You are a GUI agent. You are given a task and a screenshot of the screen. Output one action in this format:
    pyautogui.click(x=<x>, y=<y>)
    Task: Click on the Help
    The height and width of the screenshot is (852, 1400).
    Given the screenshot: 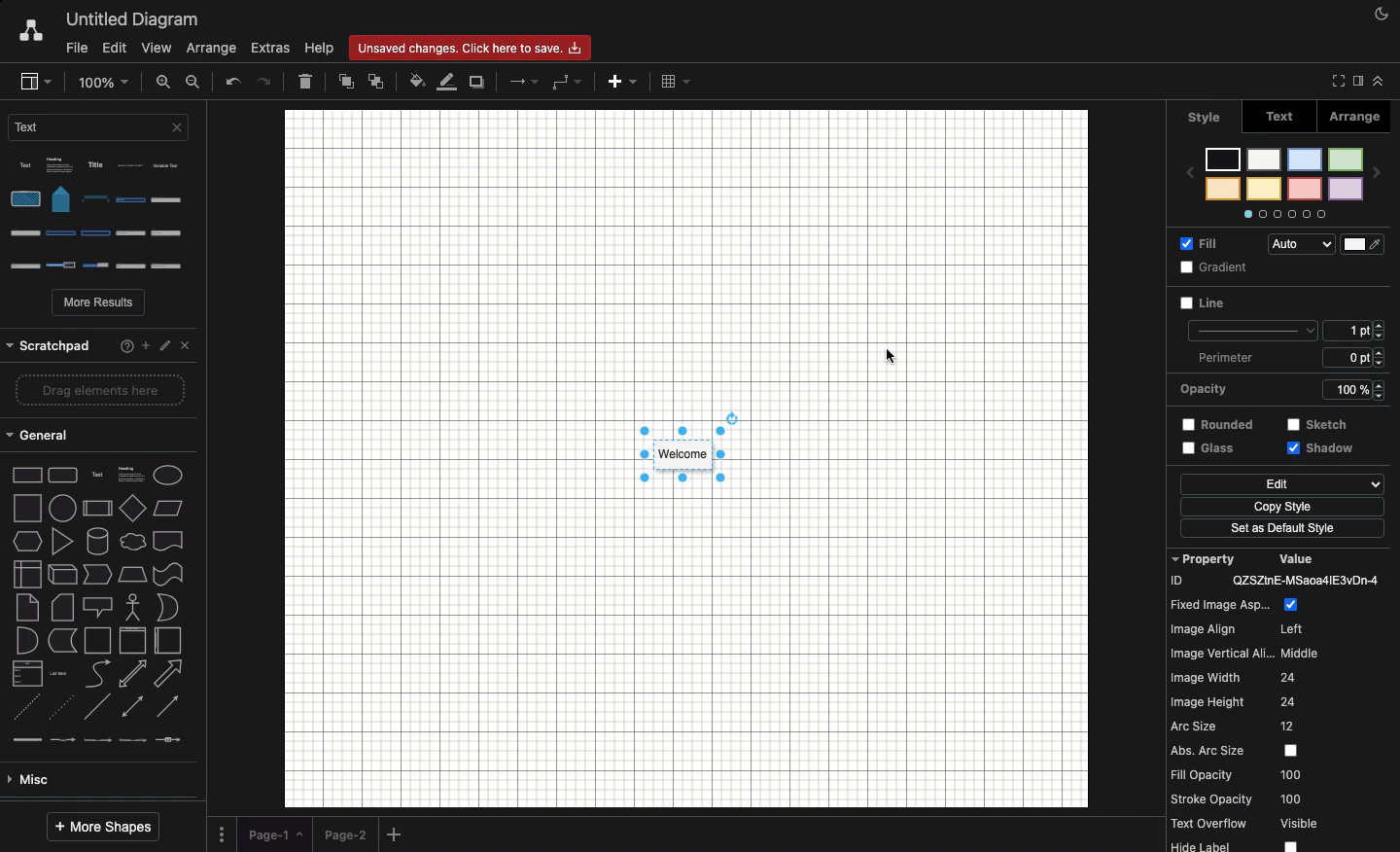 What is the action you would take?
    pyautogui.click(x=319, y=49)
    